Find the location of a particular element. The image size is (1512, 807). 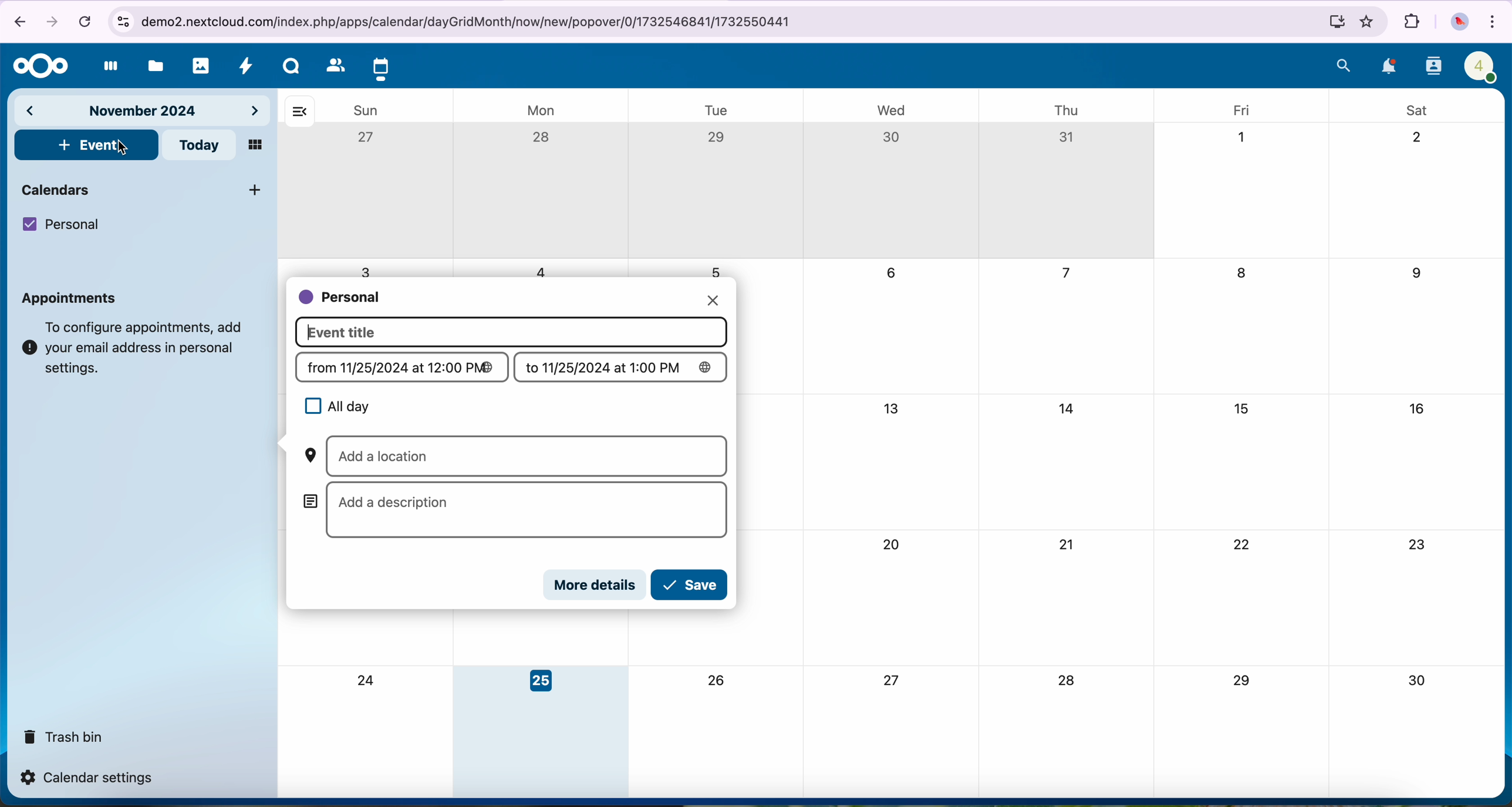

profile picture is located at coordinates (1457, 23).